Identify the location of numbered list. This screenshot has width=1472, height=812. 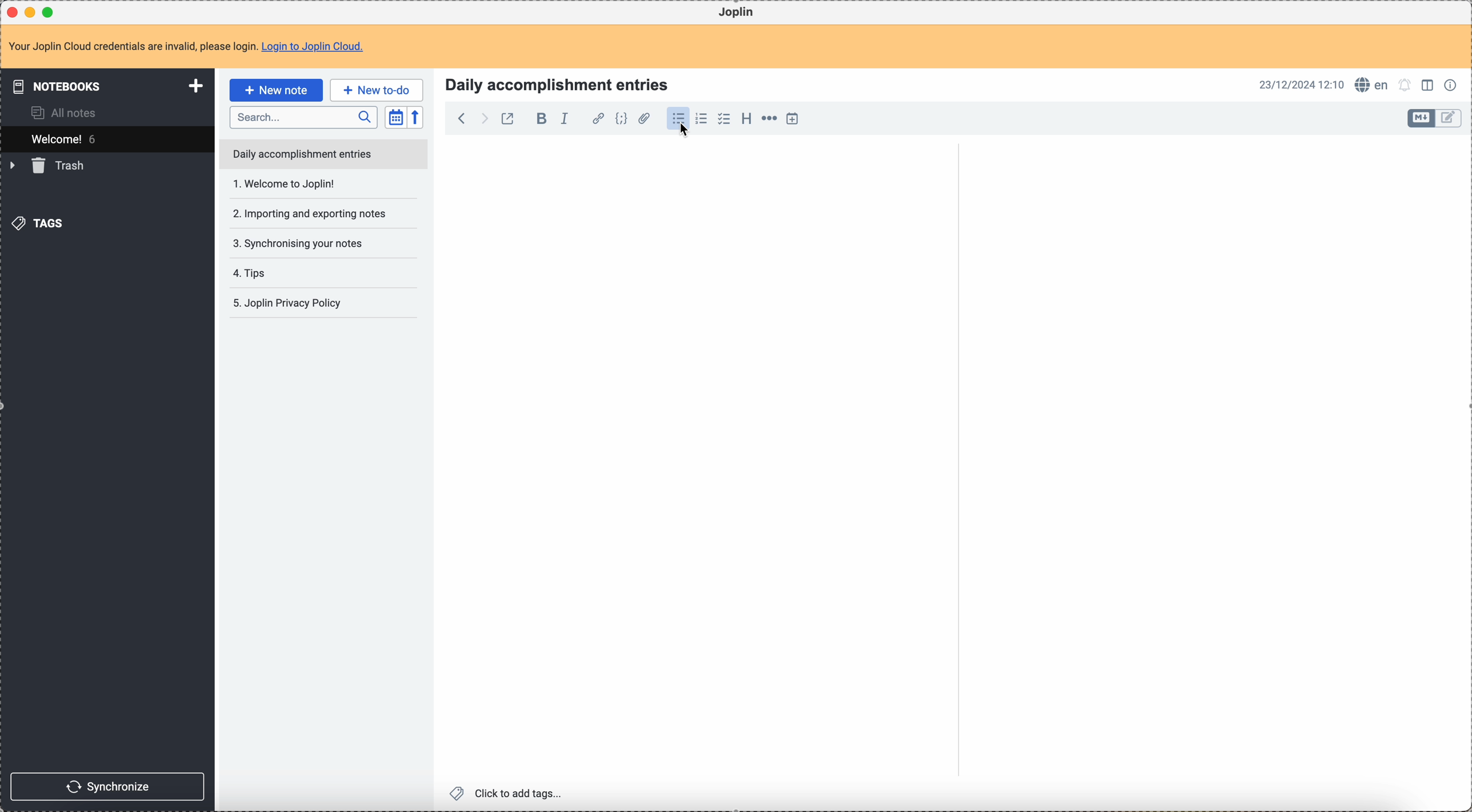
(701, 120).